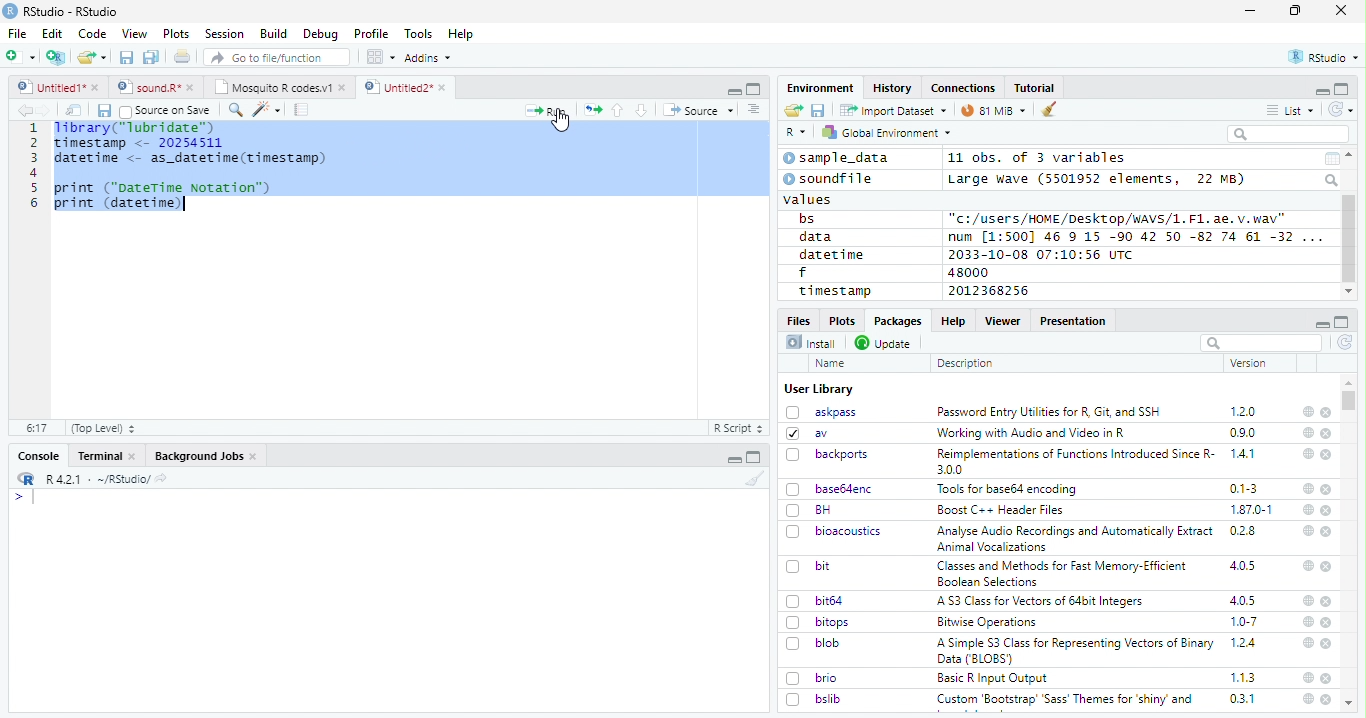 This screenshot has width=1366, height=718. I want to click on go forward, so click(48, 110).